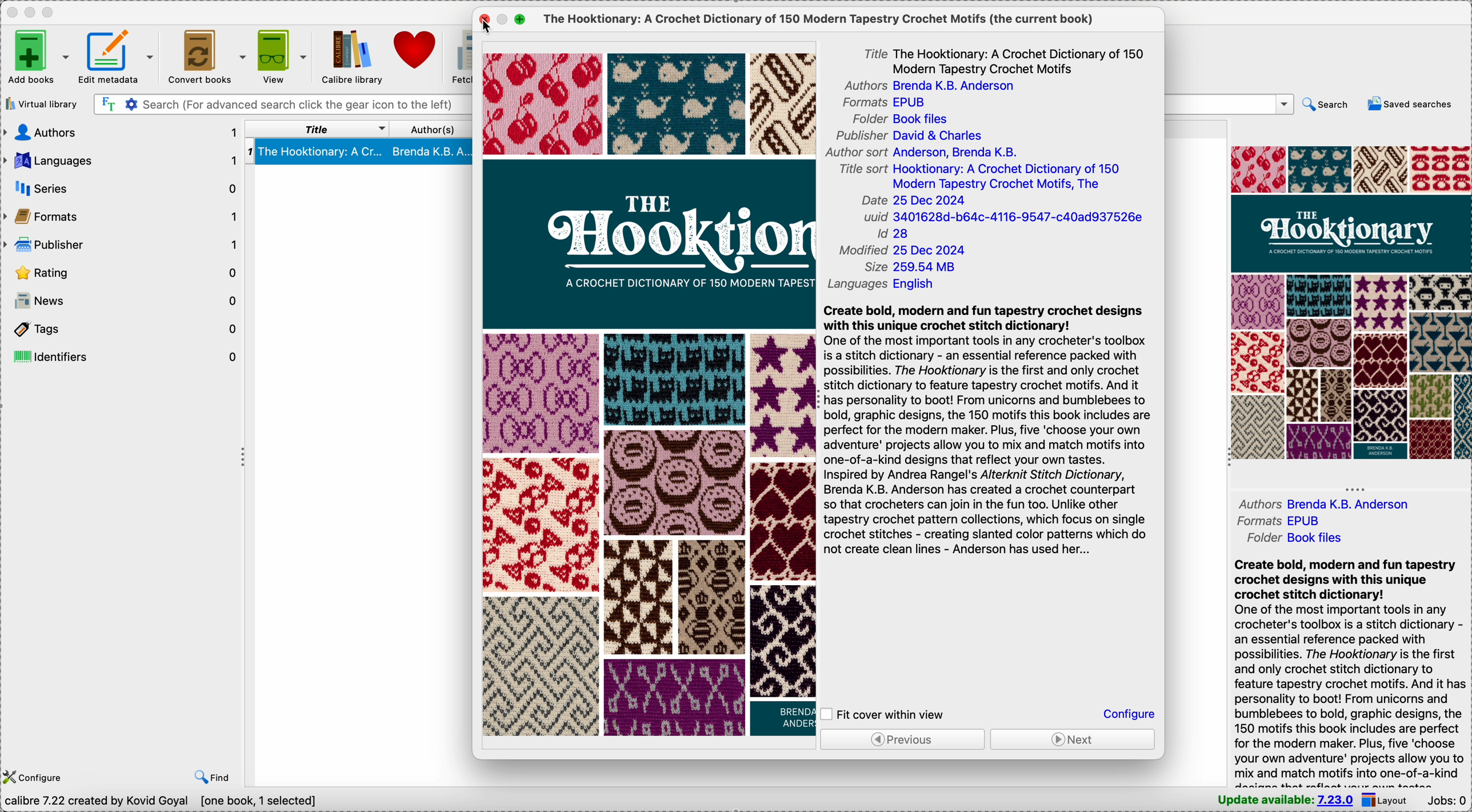 The width and height of the screenshot is (1472, 812). What do you see at coordinates (37, 776) in the screenshot?
I see `configure` at bounding box center [37, 776].